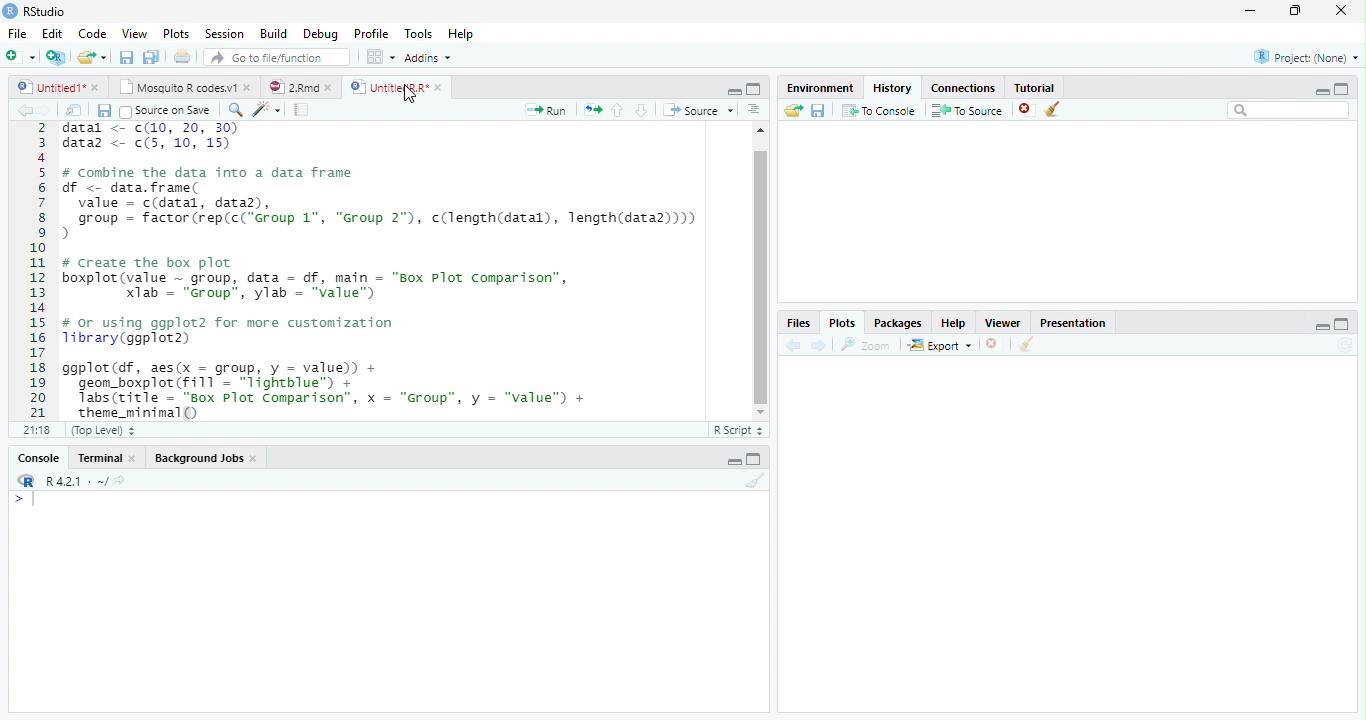  Describe the element at coordinates (1026, 109) in the screenshot. I see `Remove the selected history entries` at that location.